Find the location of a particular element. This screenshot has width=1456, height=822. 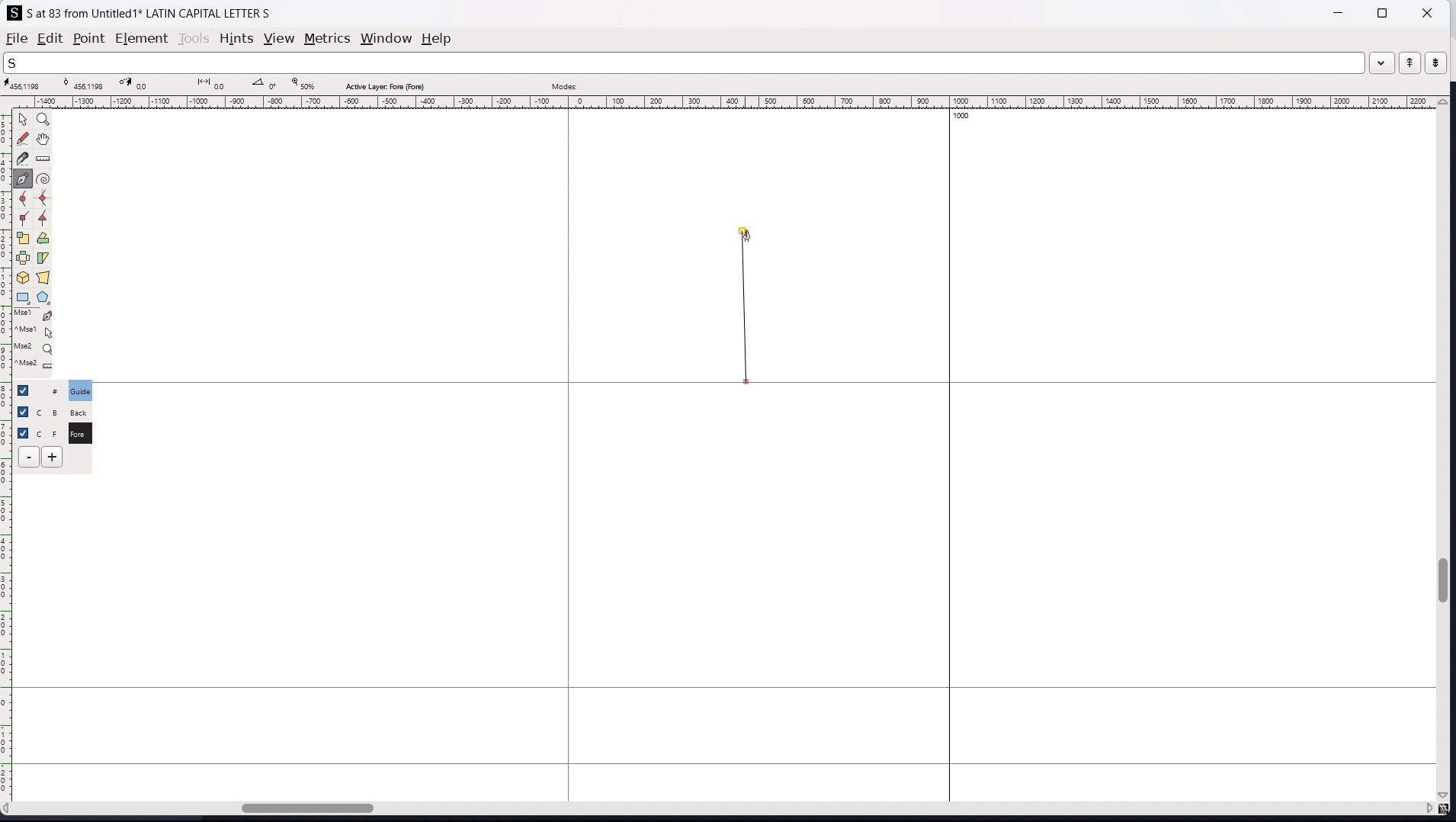

draw a freehand curve is located at coordinates (23, 139).